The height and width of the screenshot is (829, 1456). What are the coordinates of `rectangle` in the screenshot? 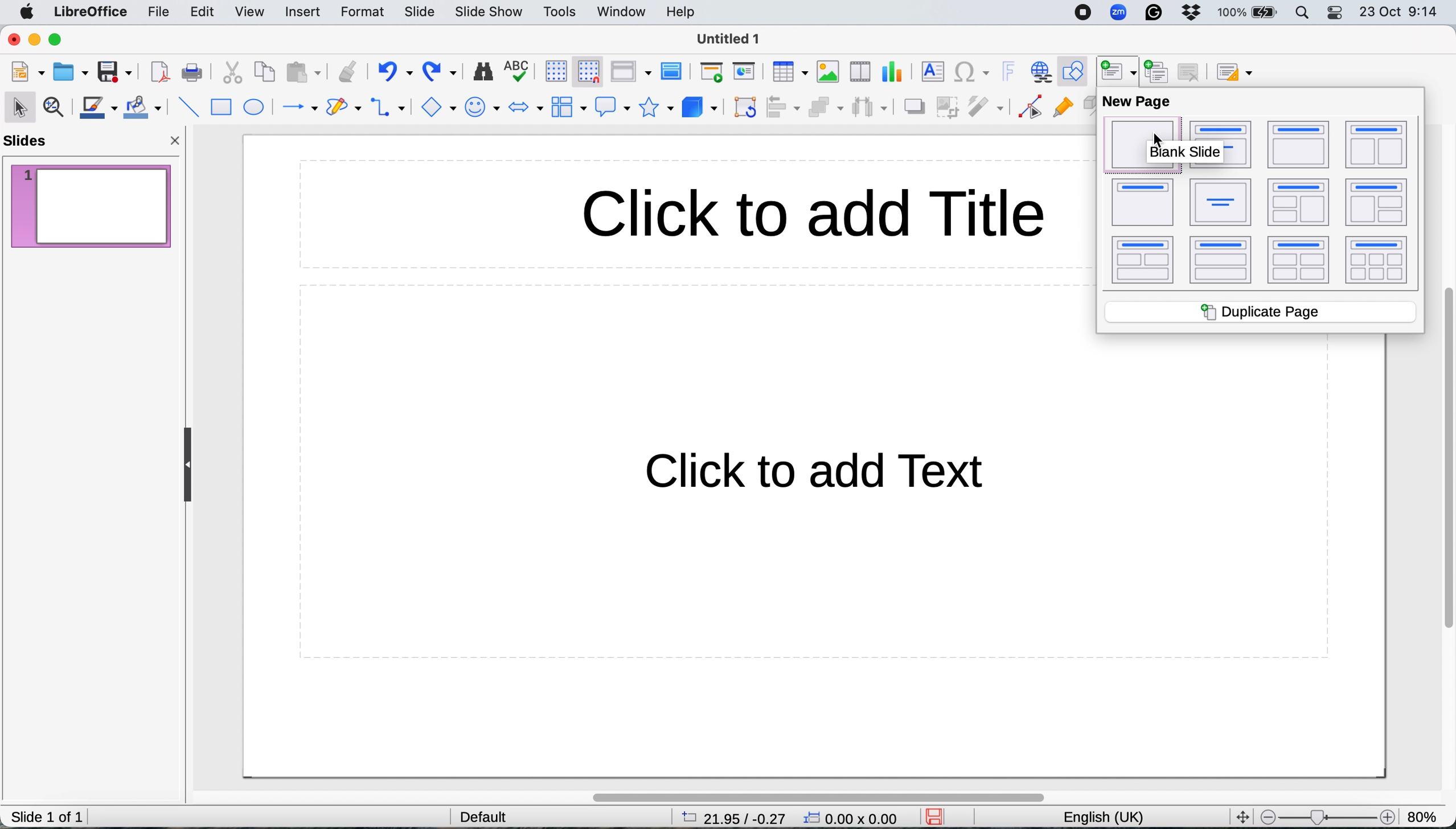 It's located at (223, 108).